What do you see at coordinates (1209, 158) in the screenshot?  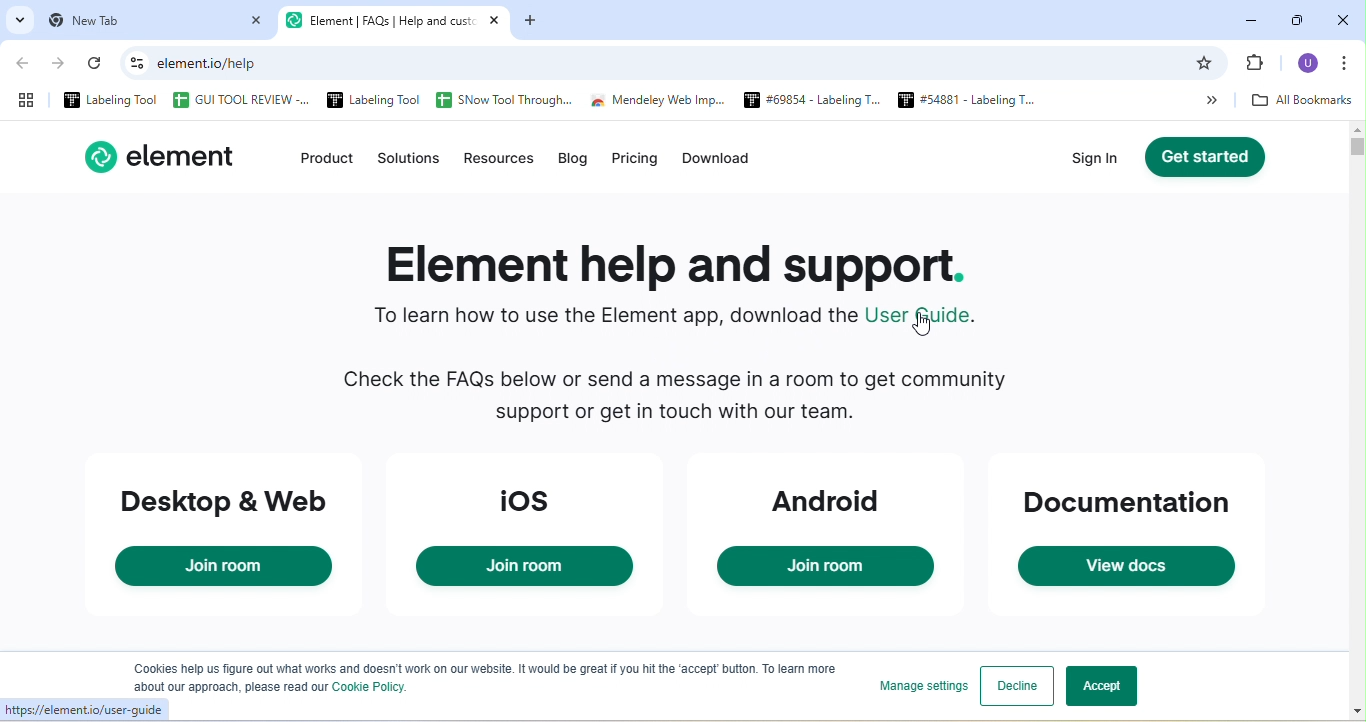 I see `get started` at bounding box center [1209, 158].